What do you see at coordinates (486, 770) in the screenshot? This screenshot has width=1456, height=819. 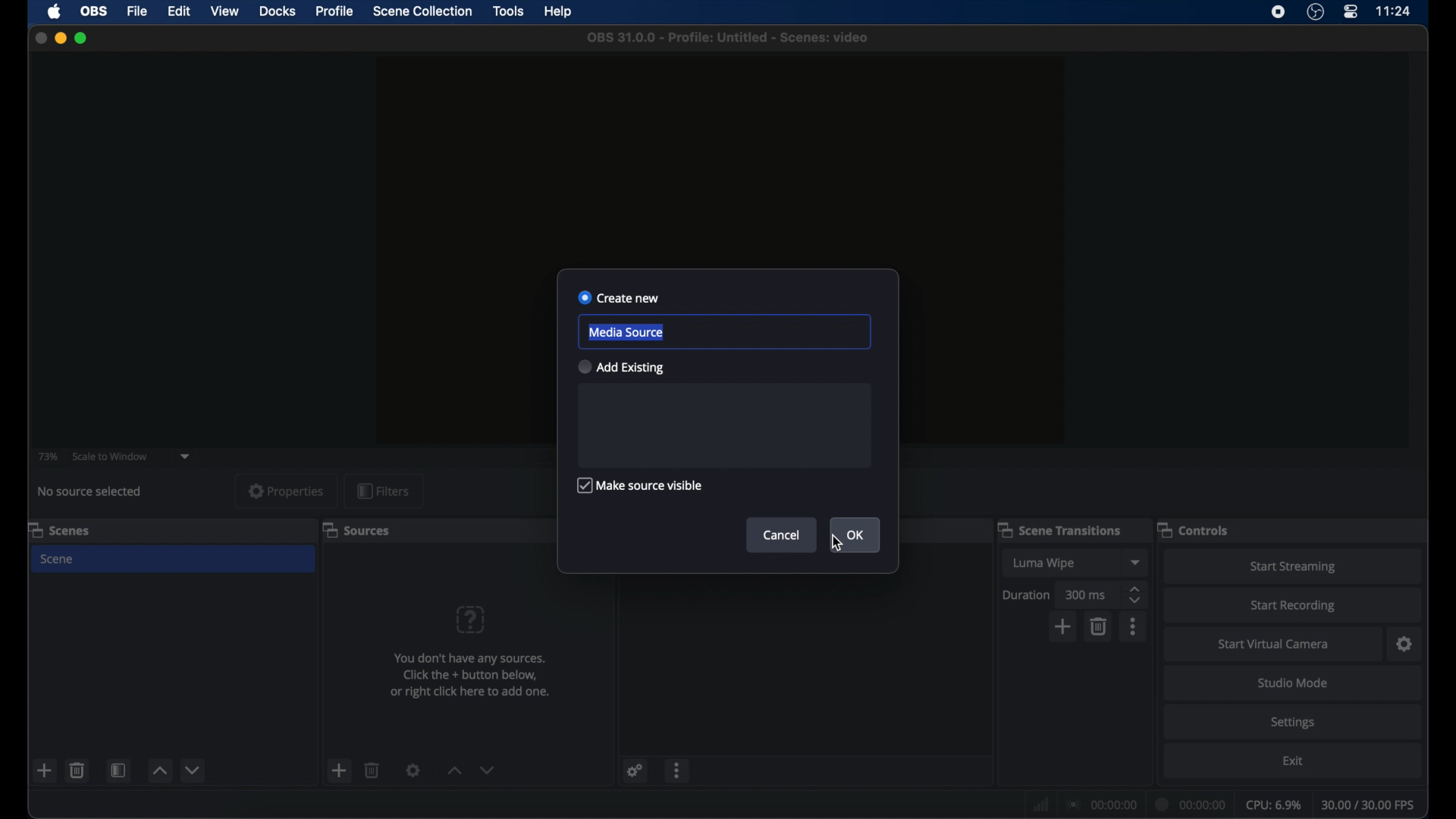 I see `decrement` at bounding box center [486, 770].